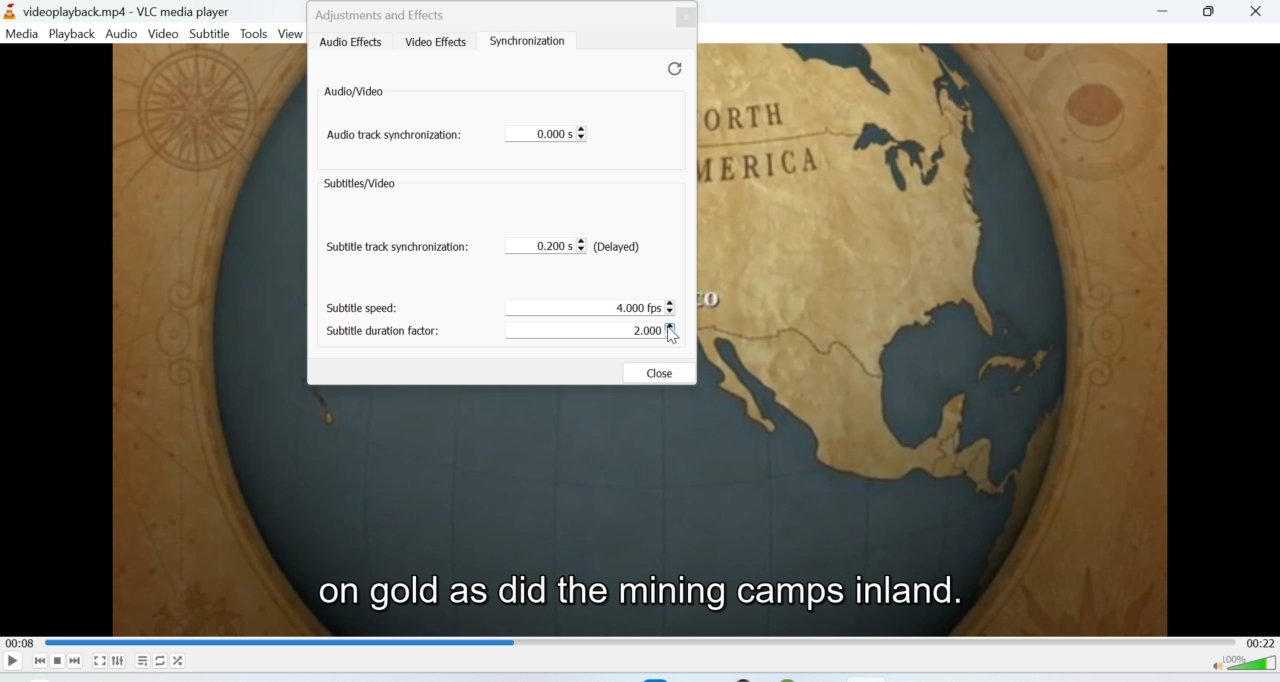 The width and height of the screenshot is (1280, 682). I want to click on Minimise, so click(1163, 12).